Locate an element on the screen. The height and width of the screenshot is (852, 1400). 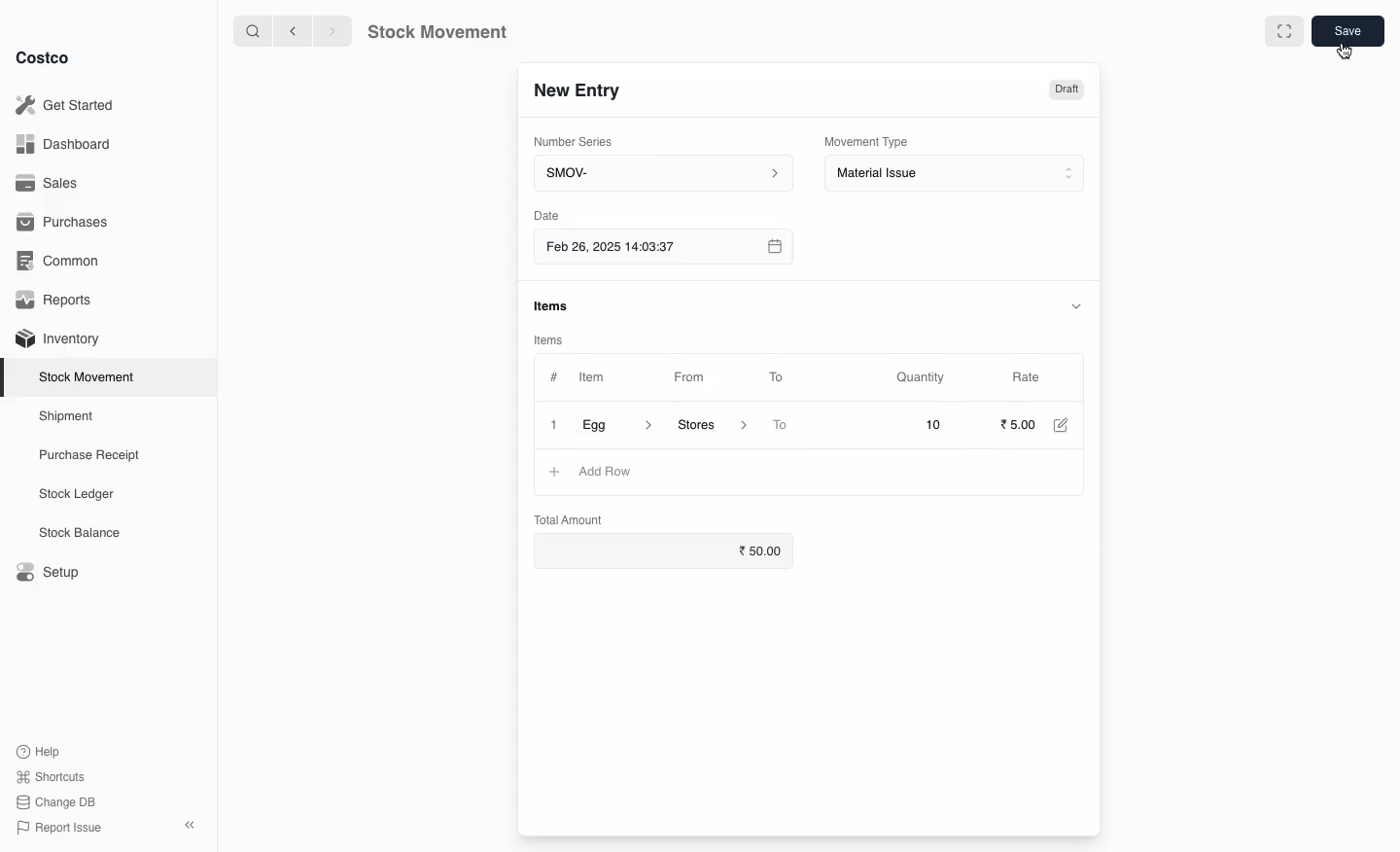
Full width toggle is located at coordinates (1285, 31).